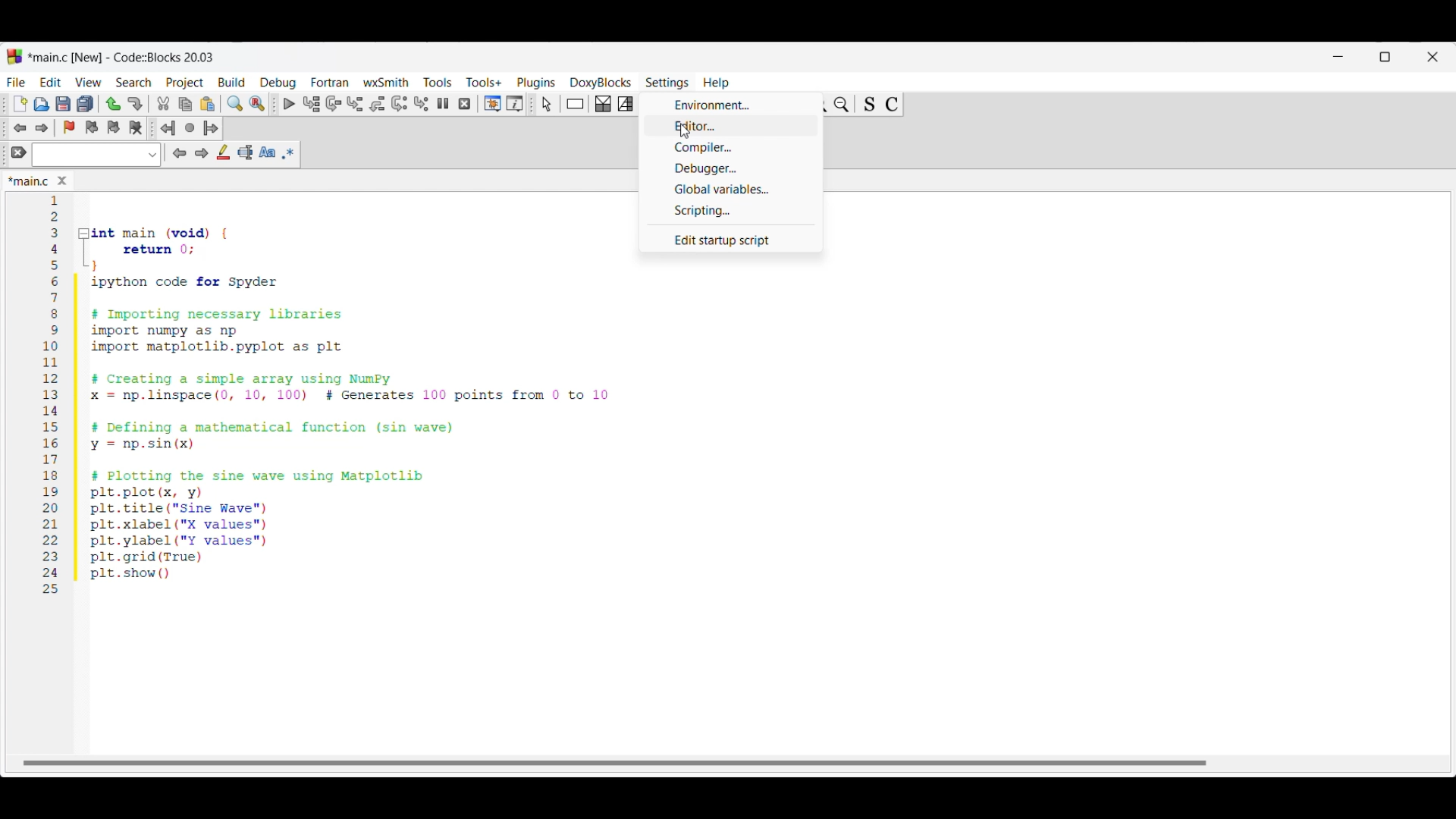  What do you see at coordinates (438, 82) in the screenshot?
I see `Tools menu` at bounding box center [438, 82].